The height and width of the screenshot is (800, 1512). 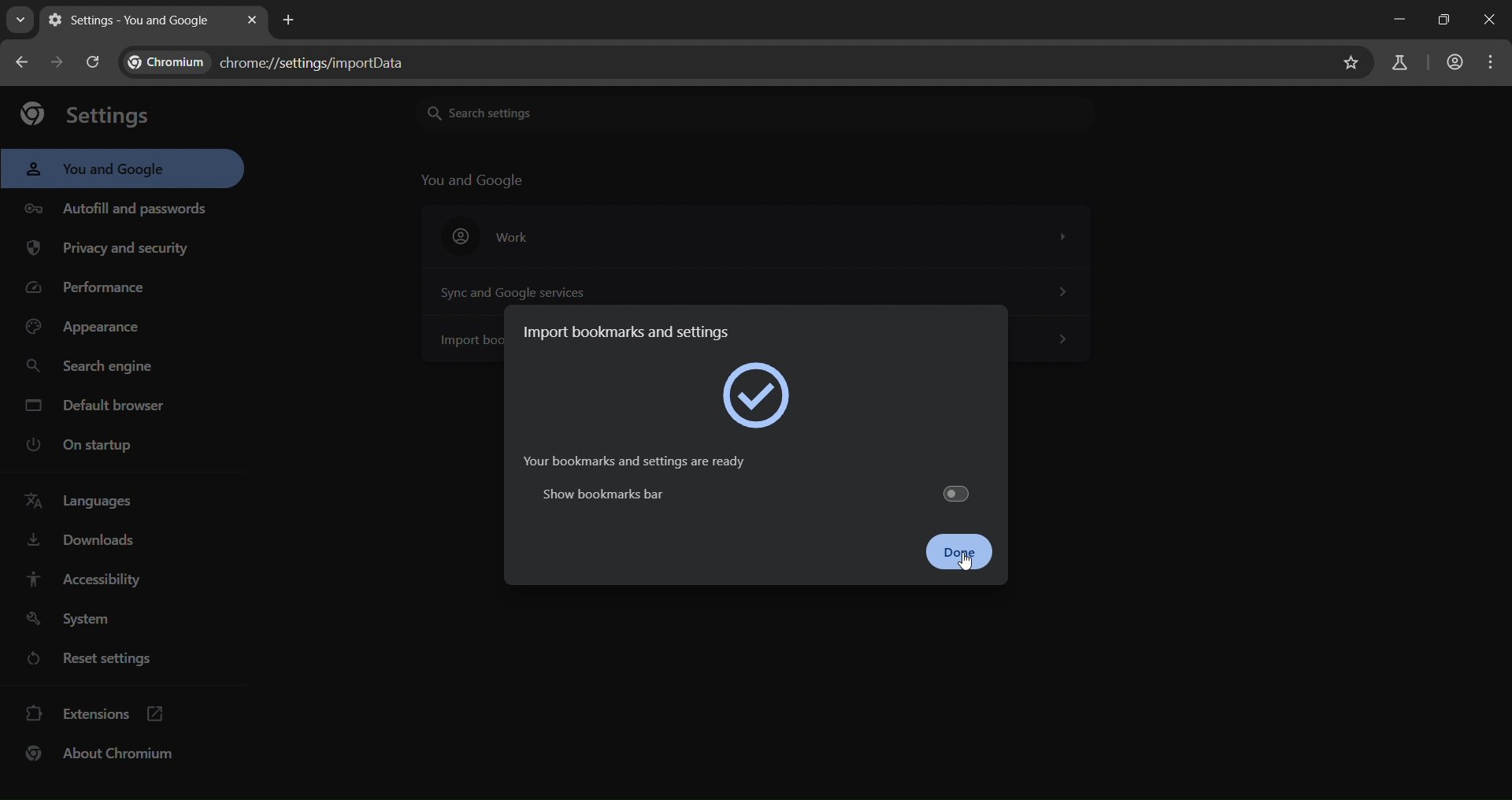 What do you see at coordinates (756, 236) in the screenshot?
I see `Work` at bounding box center [756, 236].